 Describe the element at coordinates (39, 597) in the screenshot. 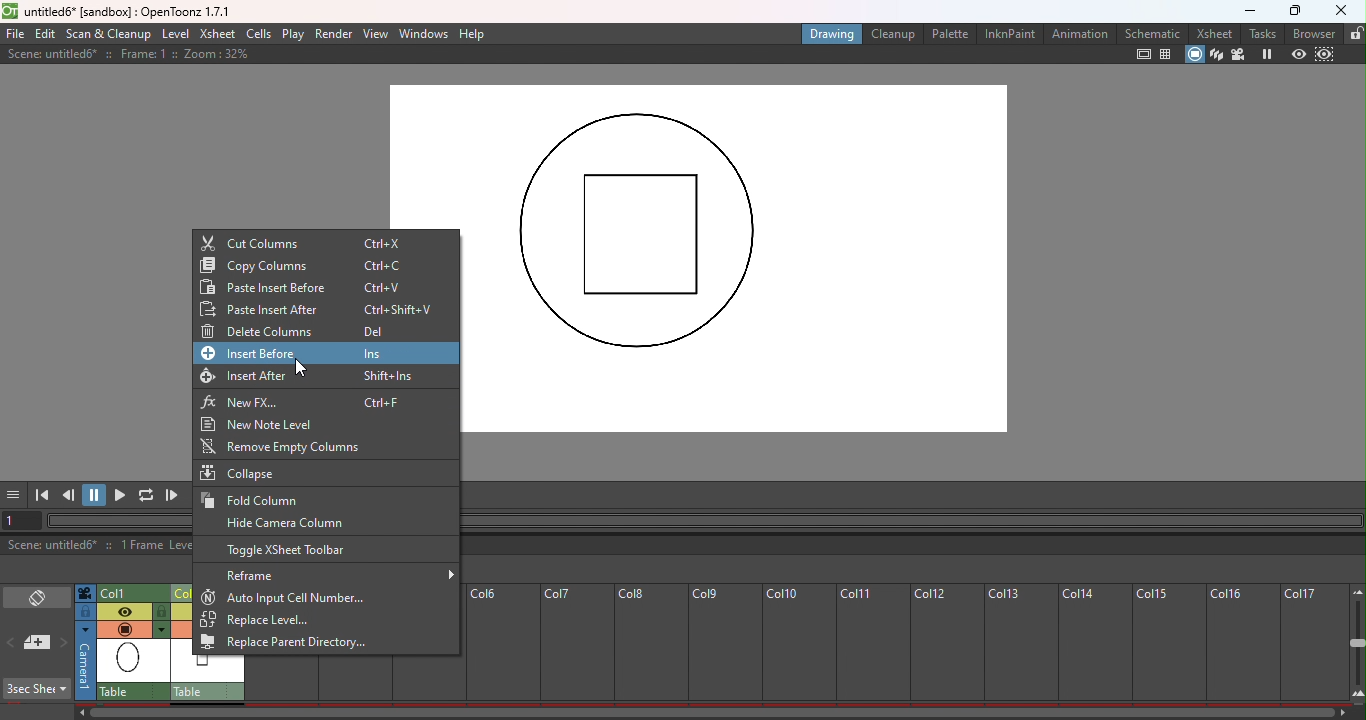

I see `Toggle Xsheet/timeline` at that location.